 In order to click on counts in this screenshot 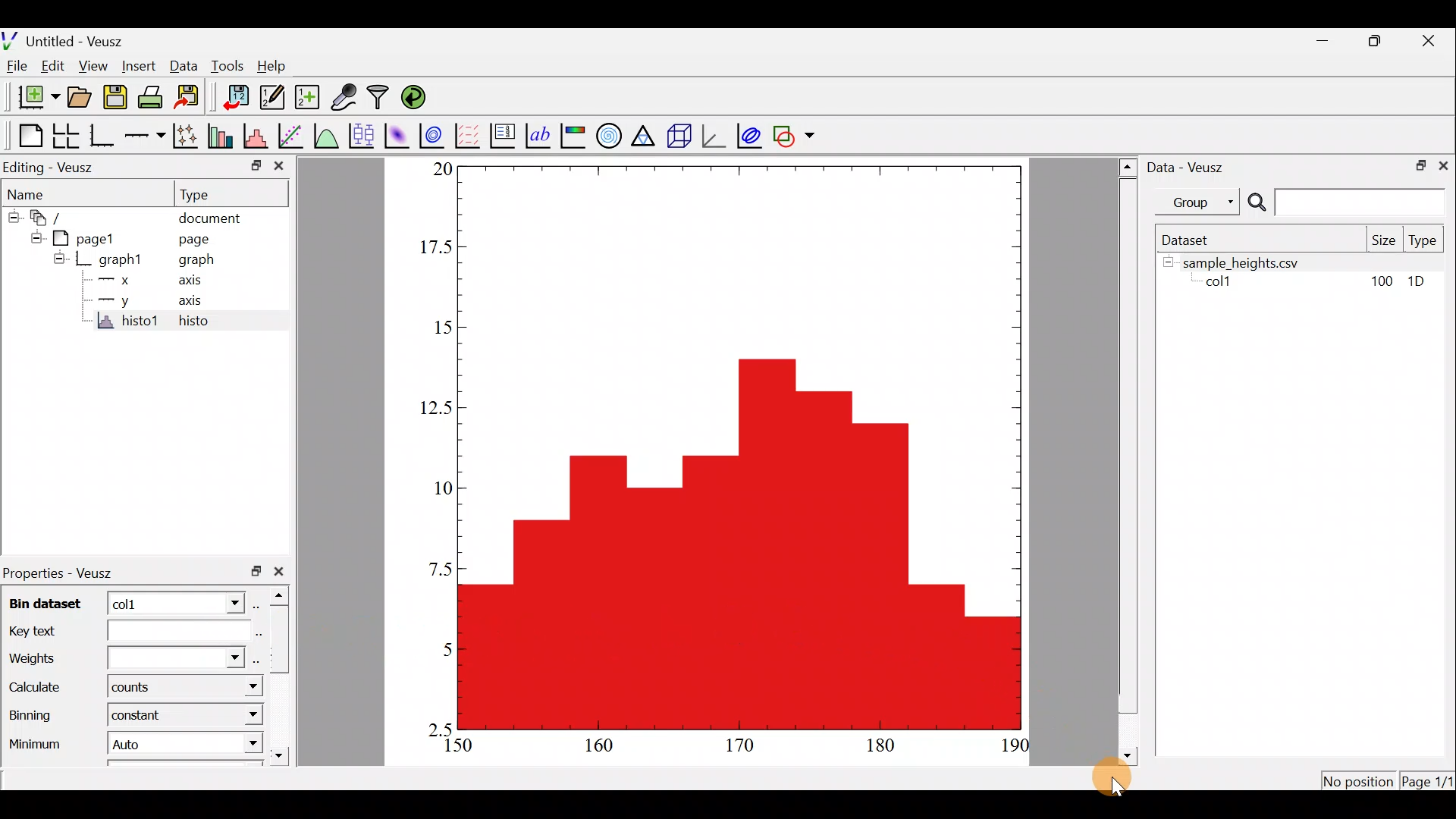, I will do `click(133, 689)`.